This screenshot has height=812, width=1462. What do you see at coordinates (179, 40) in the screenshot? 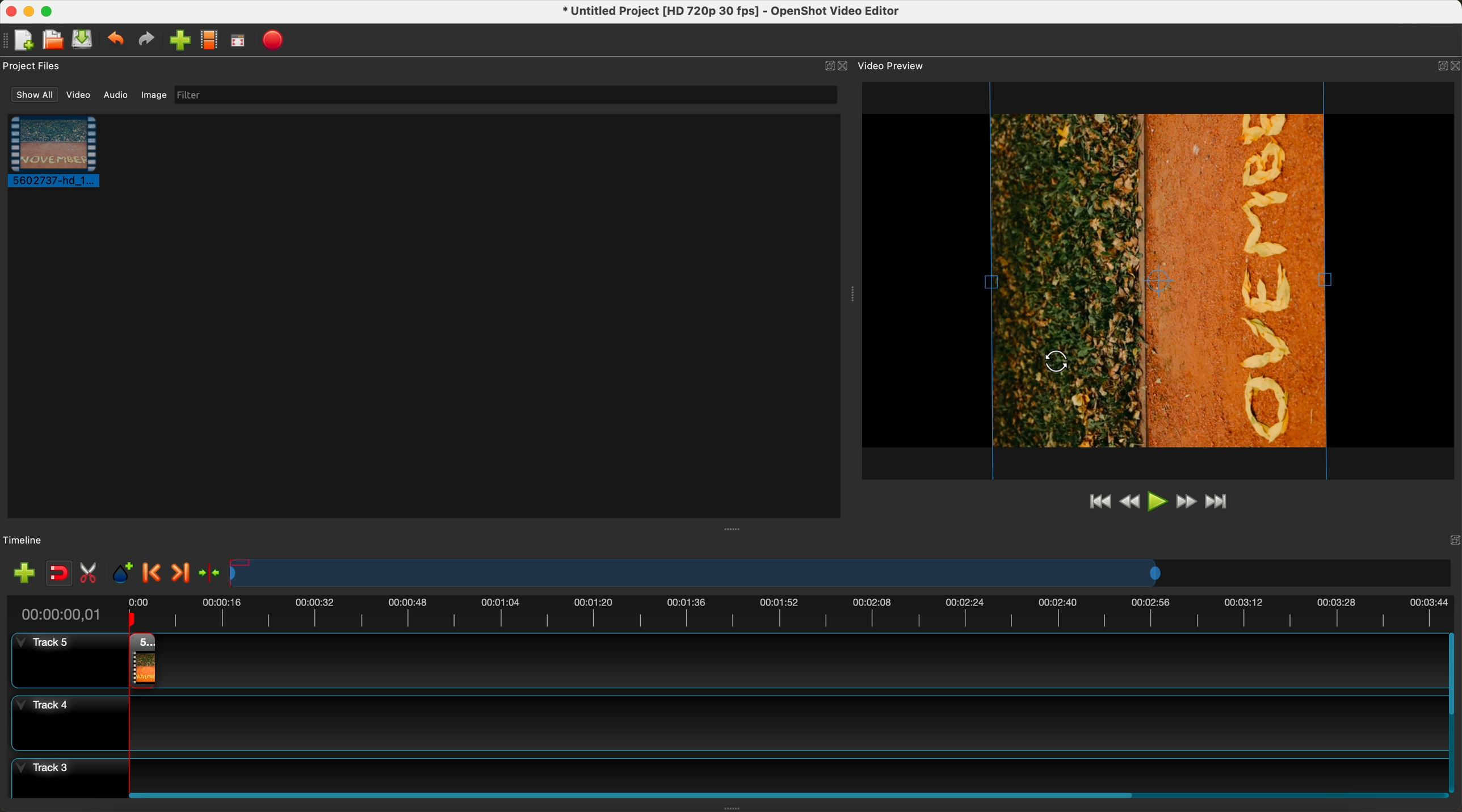
I see `import files` at bounding box center [179, 40].